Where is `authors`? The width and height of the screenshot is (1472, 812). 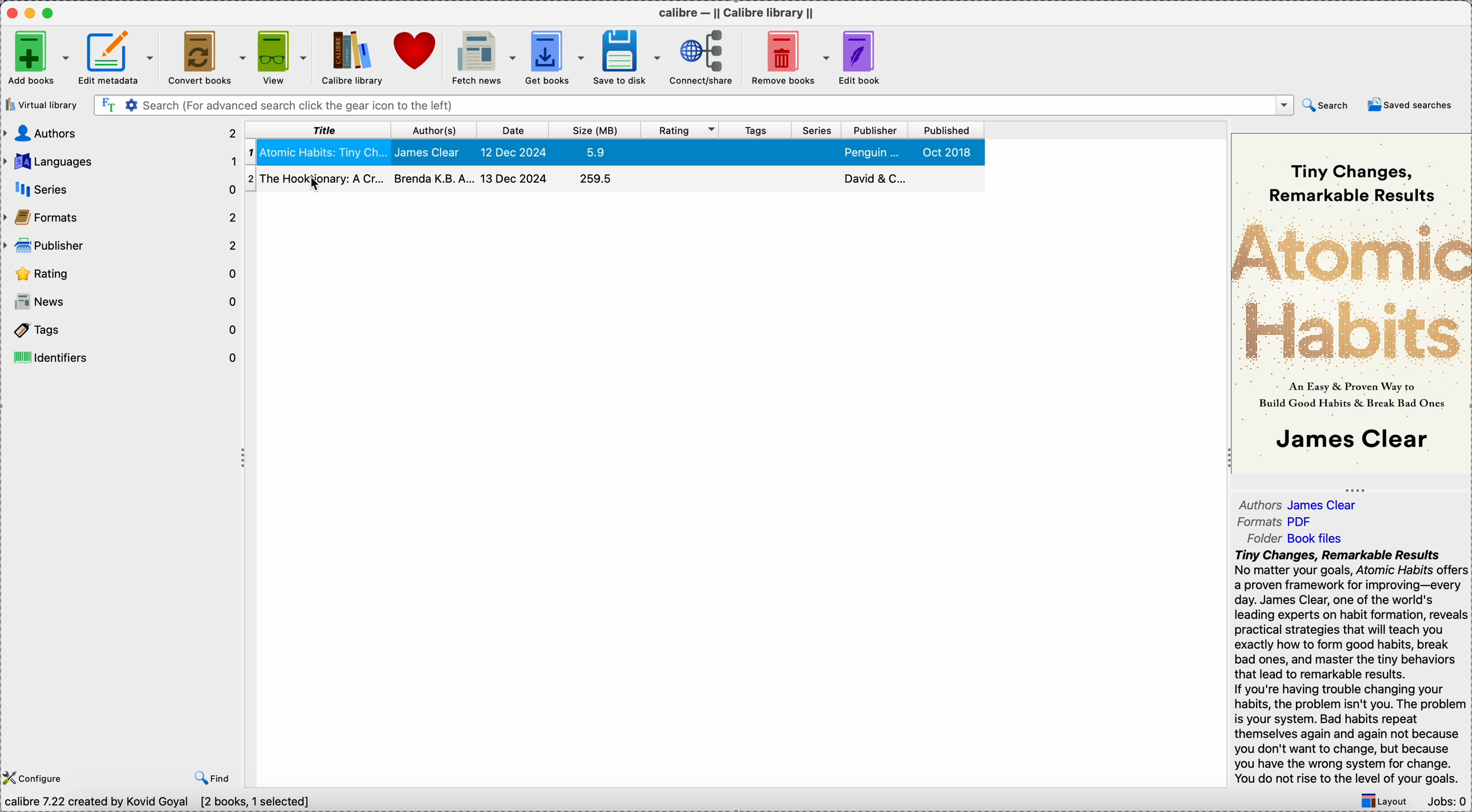 authors is located at coordinates (122, 134).